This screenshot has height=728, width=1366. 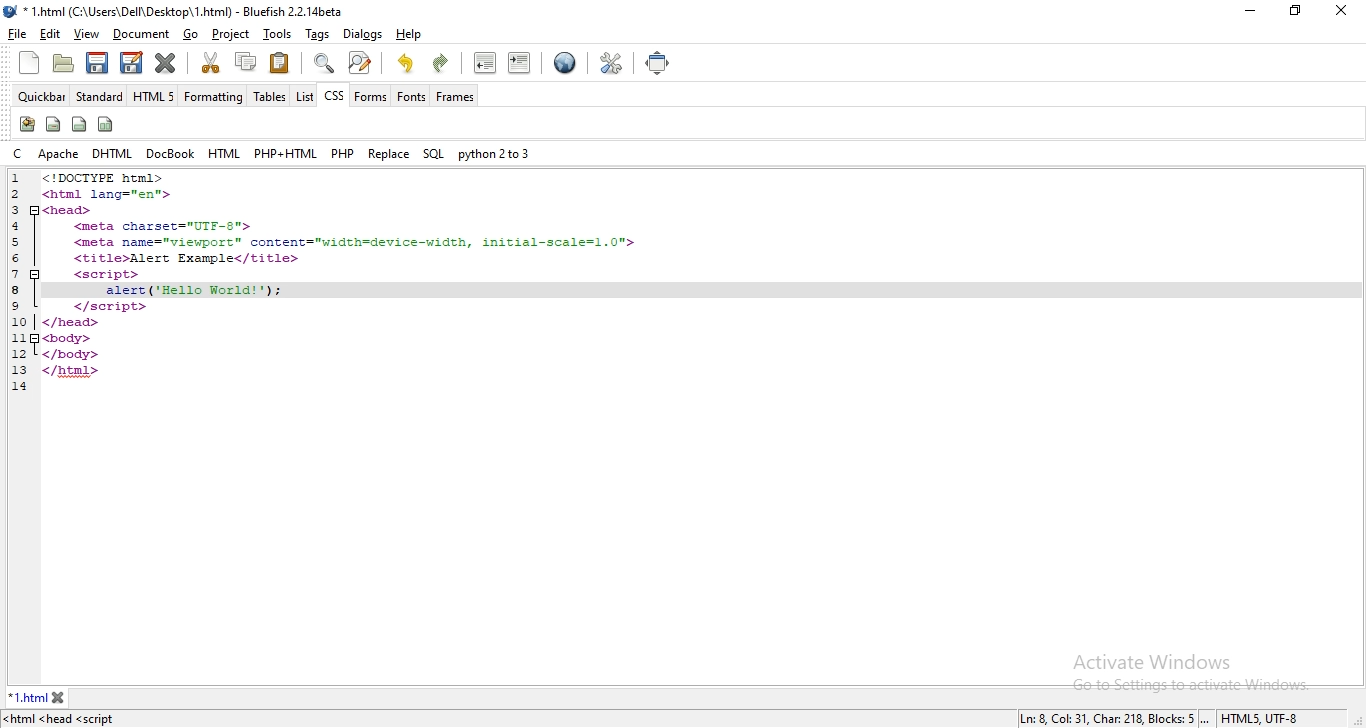 I want to click on document, so click(x=140, y=33).